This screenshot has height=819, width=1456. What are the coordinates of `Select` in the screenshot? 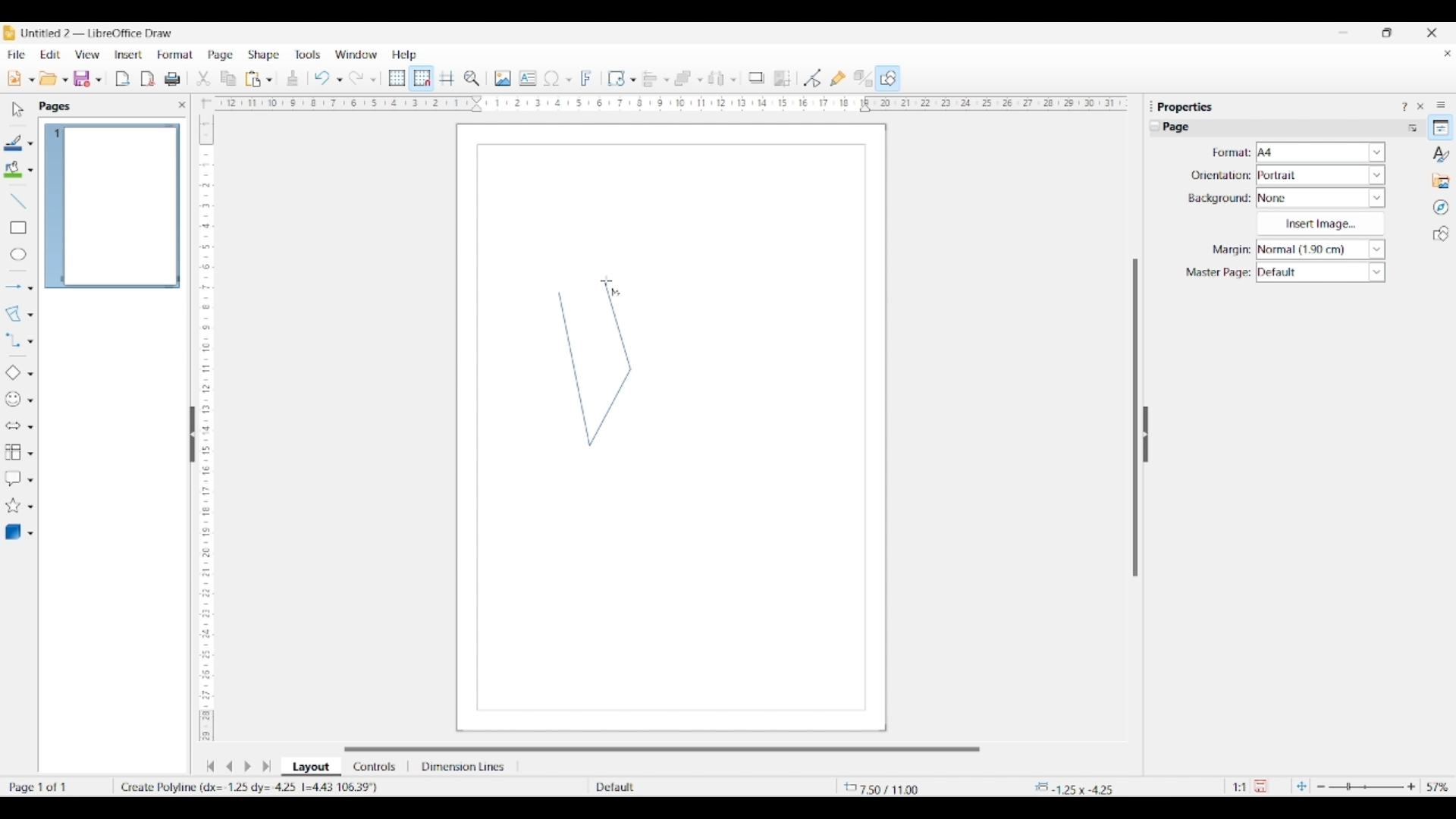 It's located at (18, 109).